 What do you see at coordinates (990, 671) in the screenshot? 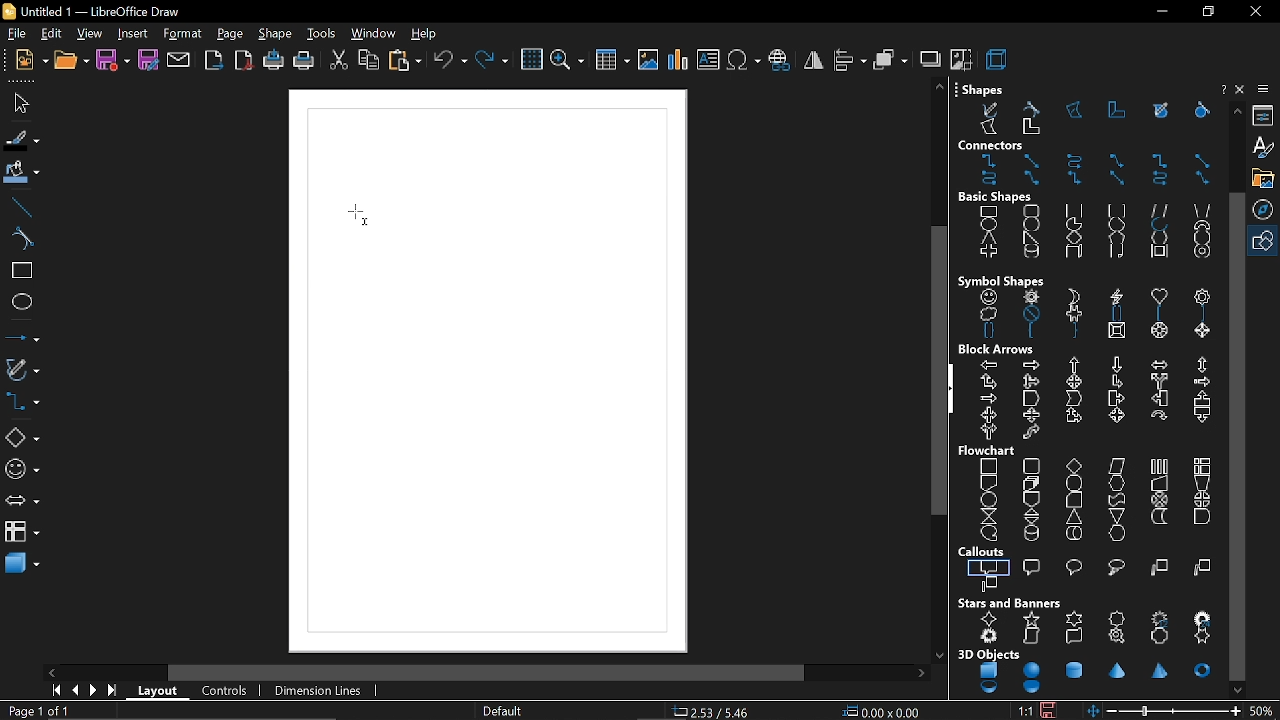
I see `cube` at bounding box center [990, 671].